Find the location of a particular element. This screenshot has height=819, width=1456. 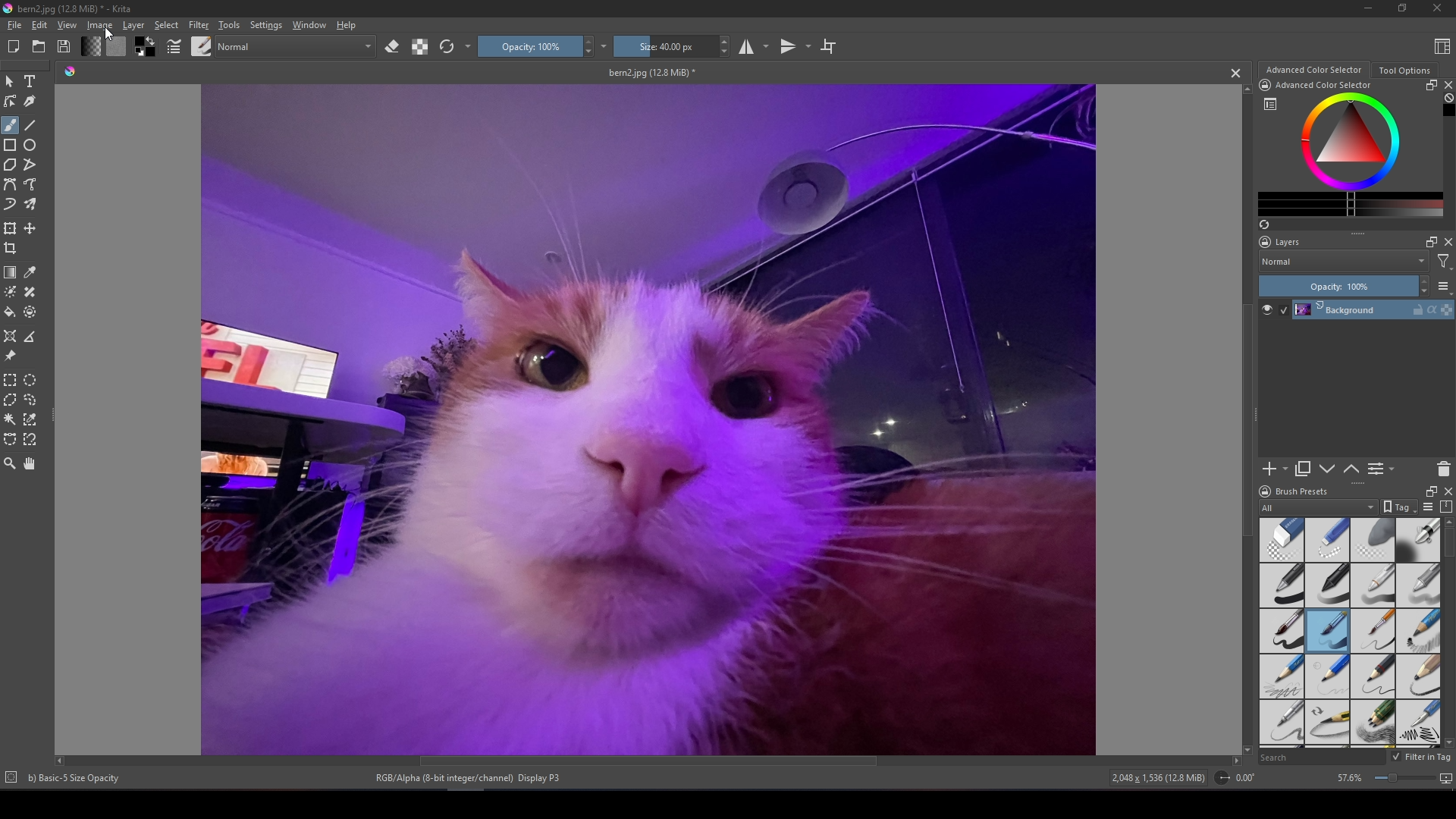

Dimensions and size is located at coordinates (1162, 778).